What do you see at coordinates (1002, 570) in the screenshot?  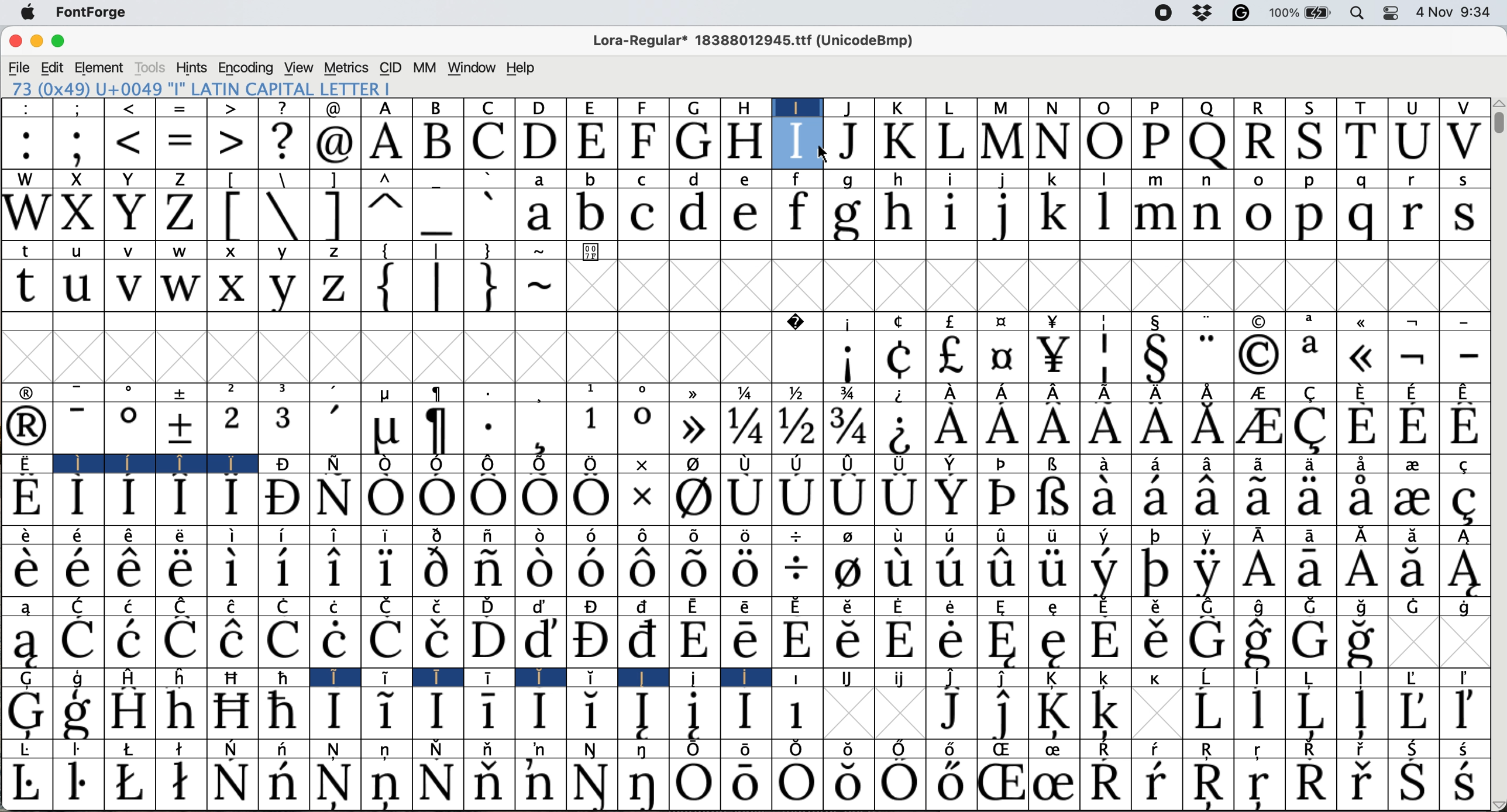 I see `Symbol` at bounding box center [1002, 570].